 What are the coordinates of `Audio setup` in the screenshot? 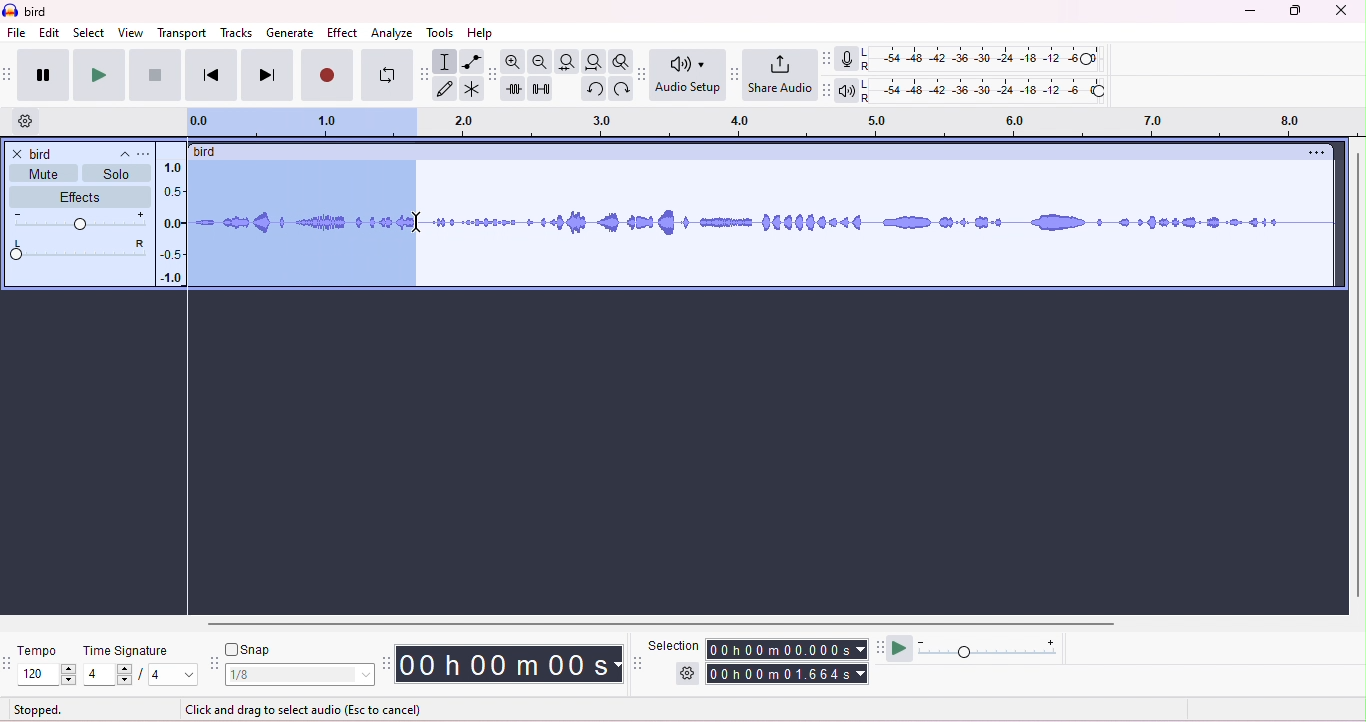 It's located at (690, 74).